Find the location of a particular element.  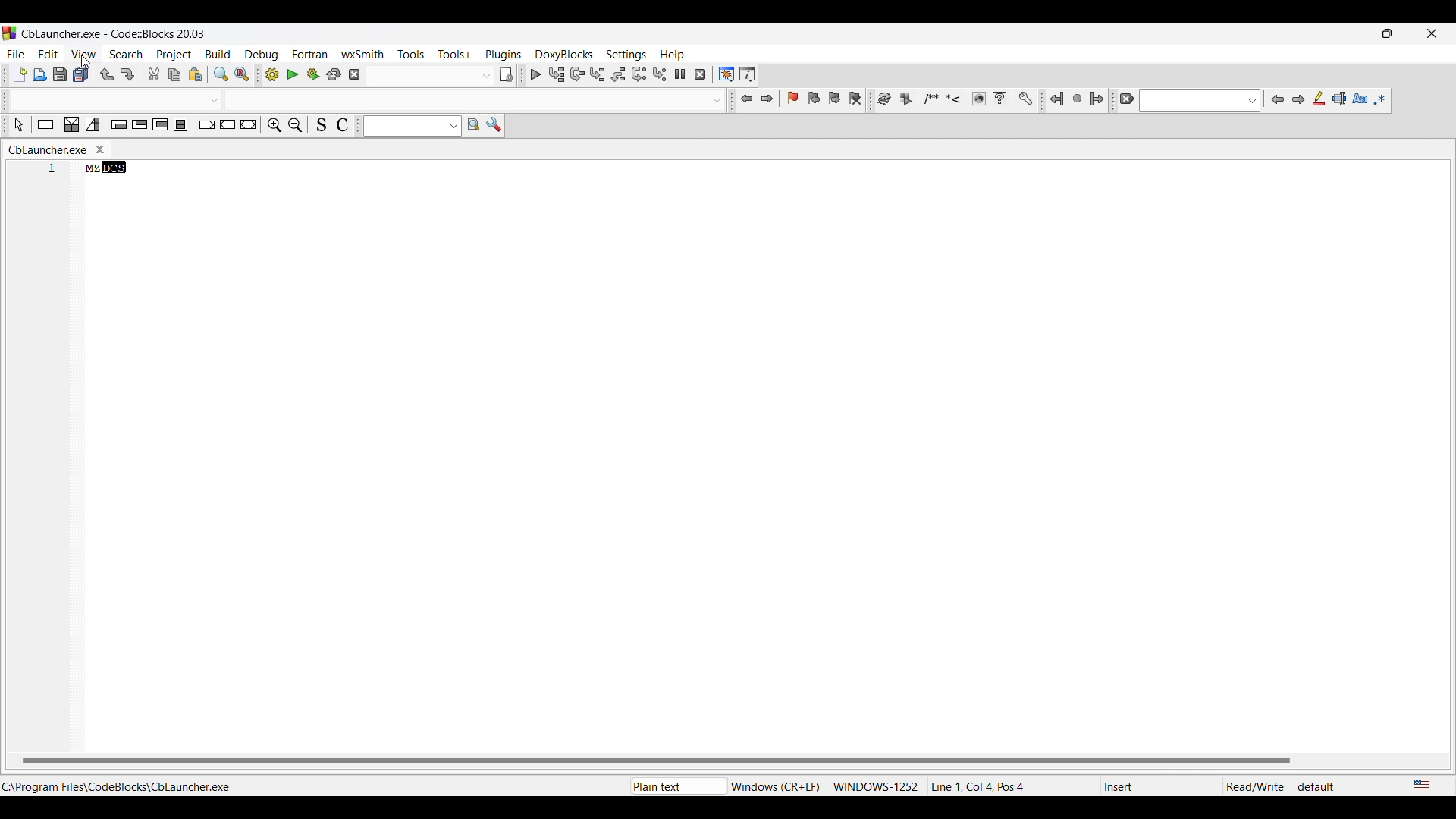

Tools+ menu is located at coordinates (454, 54).